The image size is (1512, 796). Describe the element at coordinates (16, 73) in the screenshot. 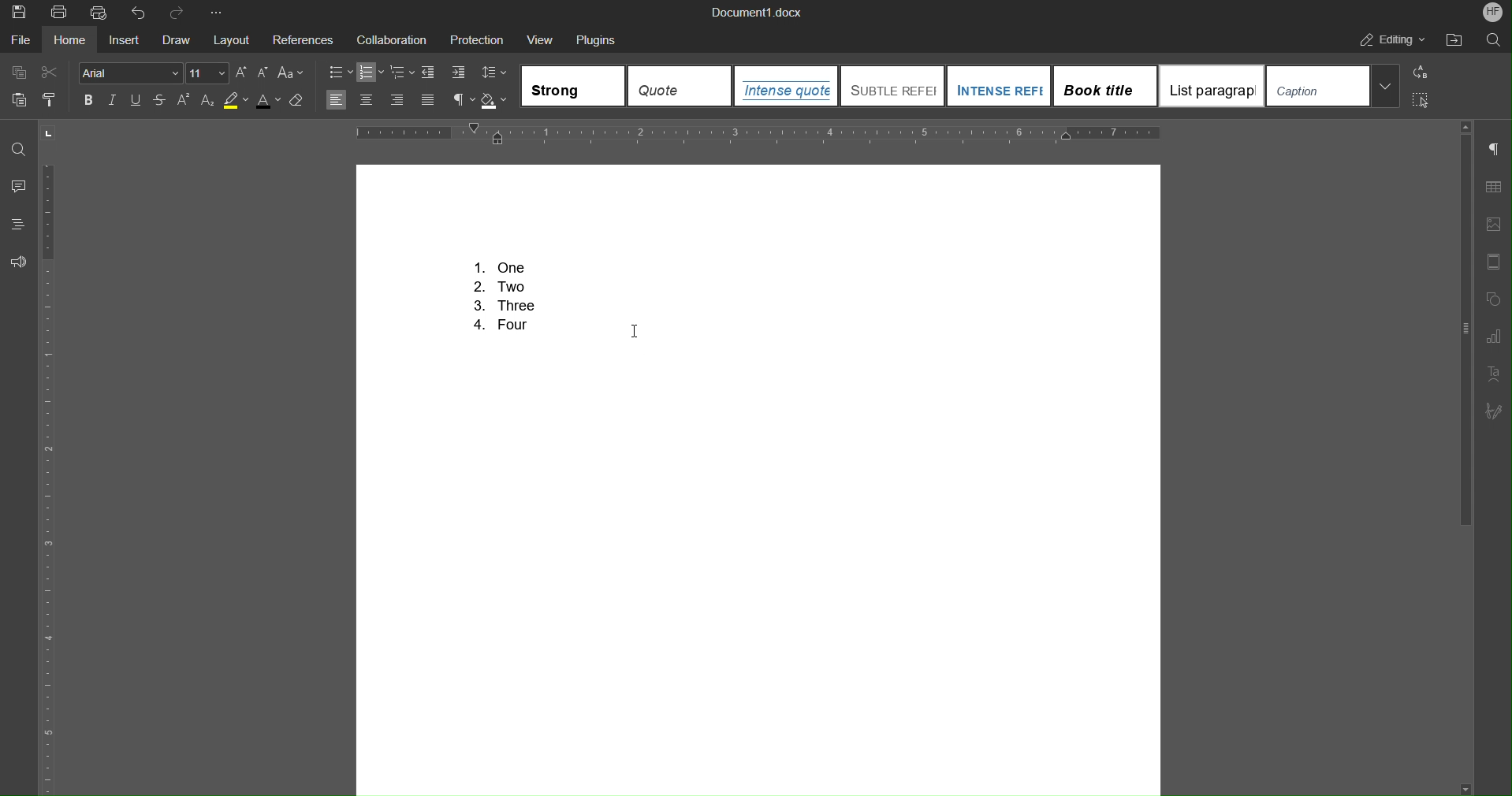

I see `Copy` at that location.